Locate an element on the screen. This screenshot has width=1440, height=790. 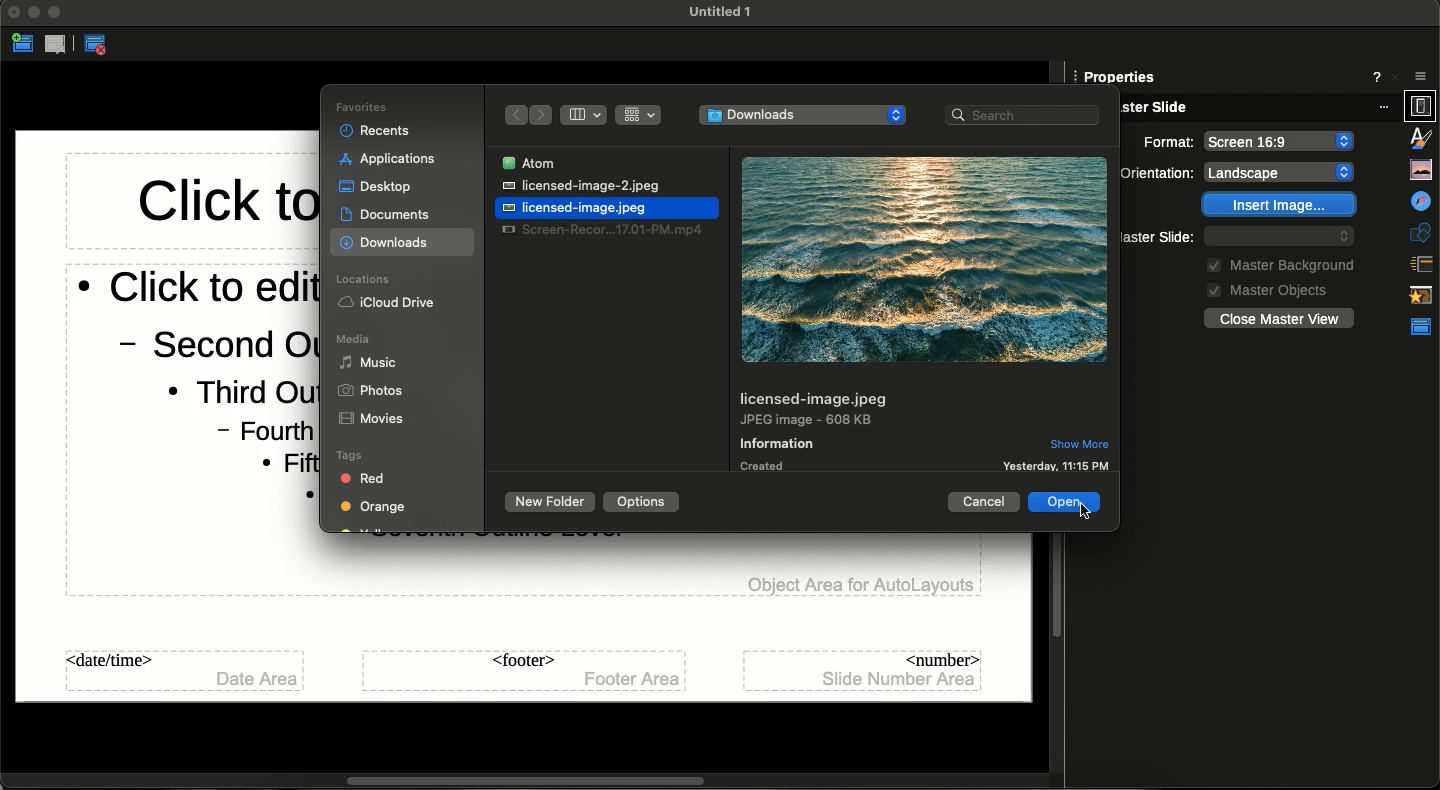
Slide is located at coordinates (1120, 76).